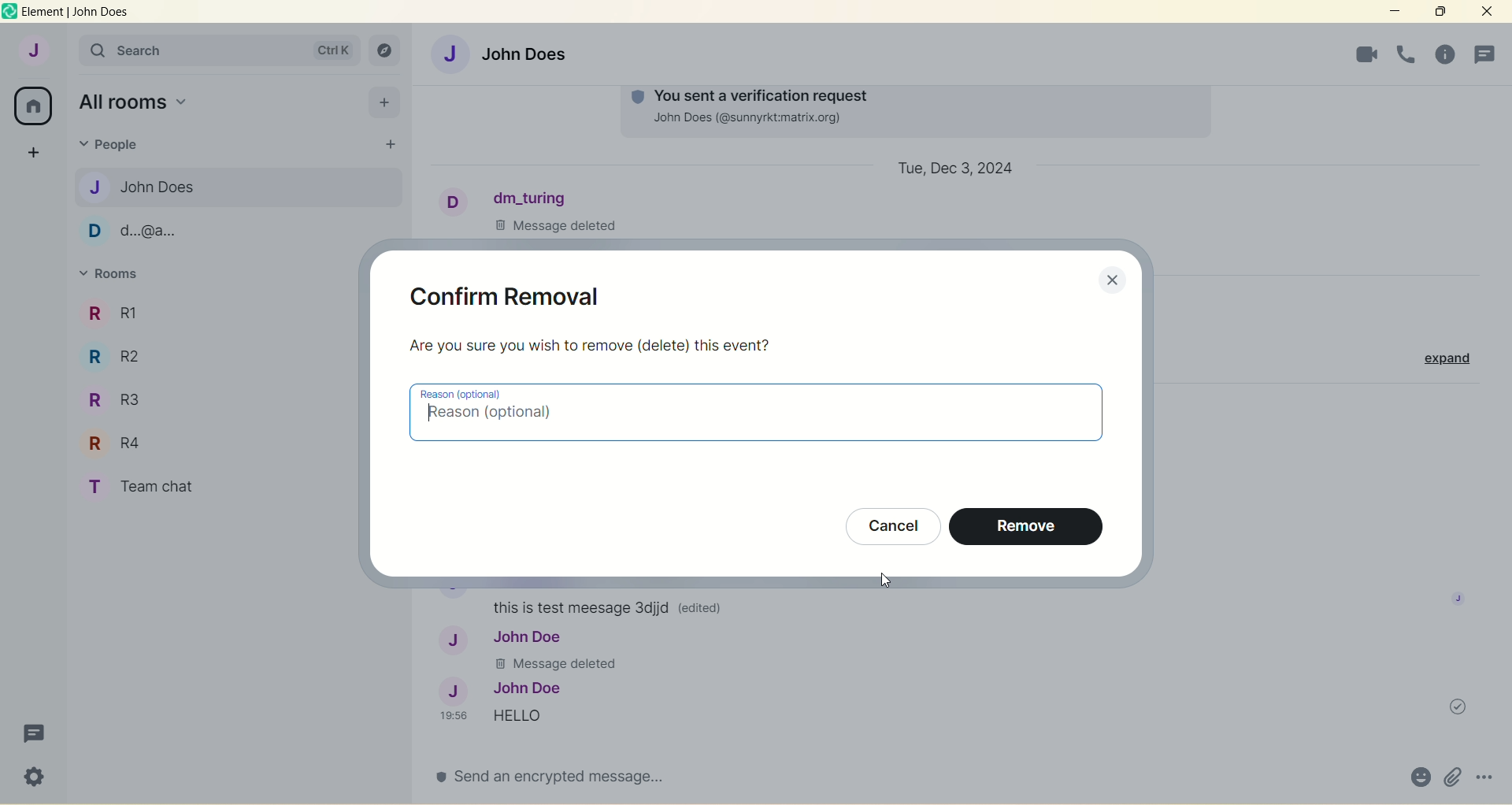  Describe the element at coordinates (509, 294) in the screenshot. I see `confirm removal` at that location.